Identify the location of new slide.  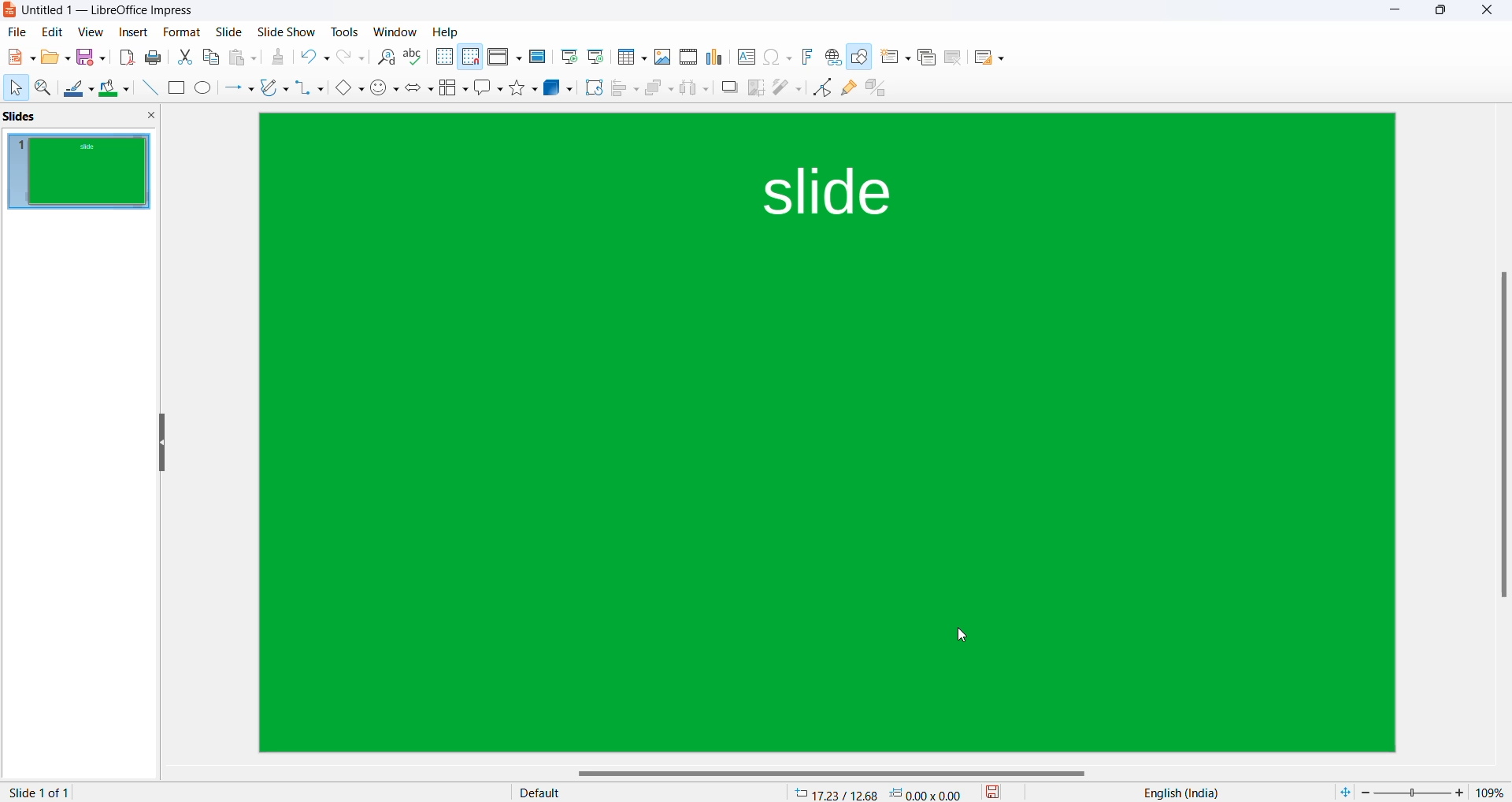
(895, 61).